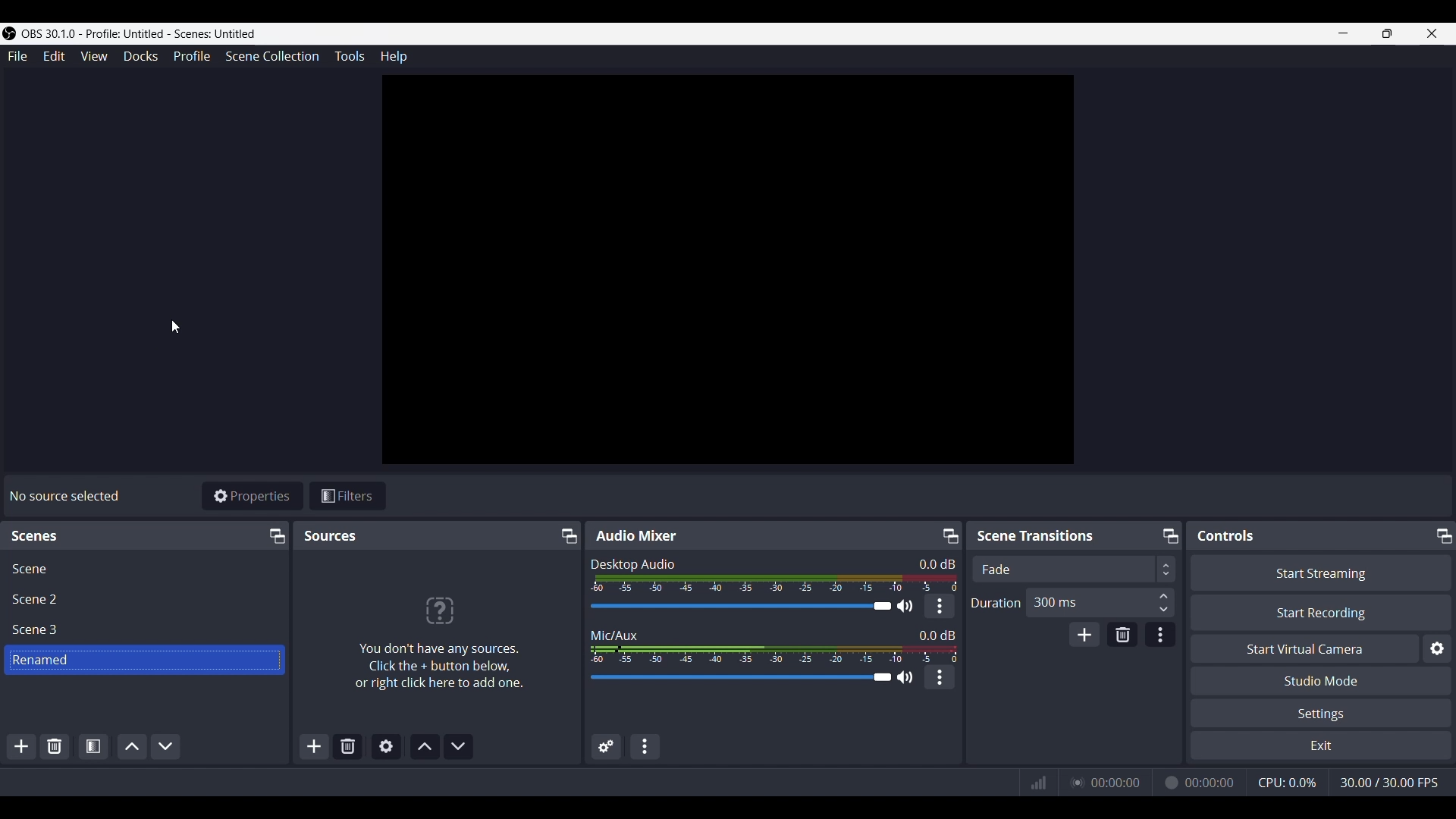 This screenshot has height=819, width=1456. I want to click on minimize, so click(1342, 33).